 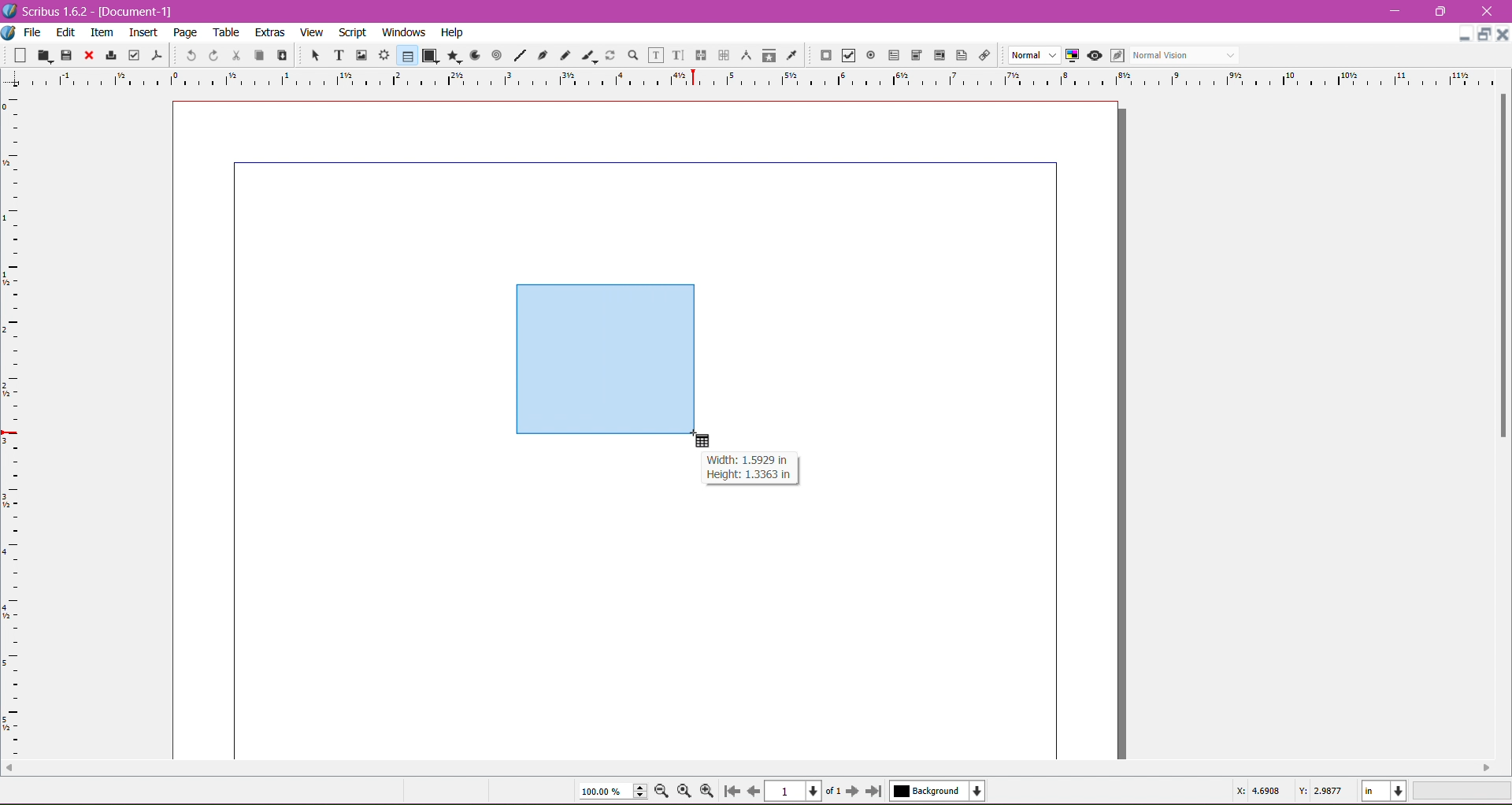 What do you see at coordinates (1465, 32) in the screenshot?
I see `Minimize` at bounding box center [1465, 32].